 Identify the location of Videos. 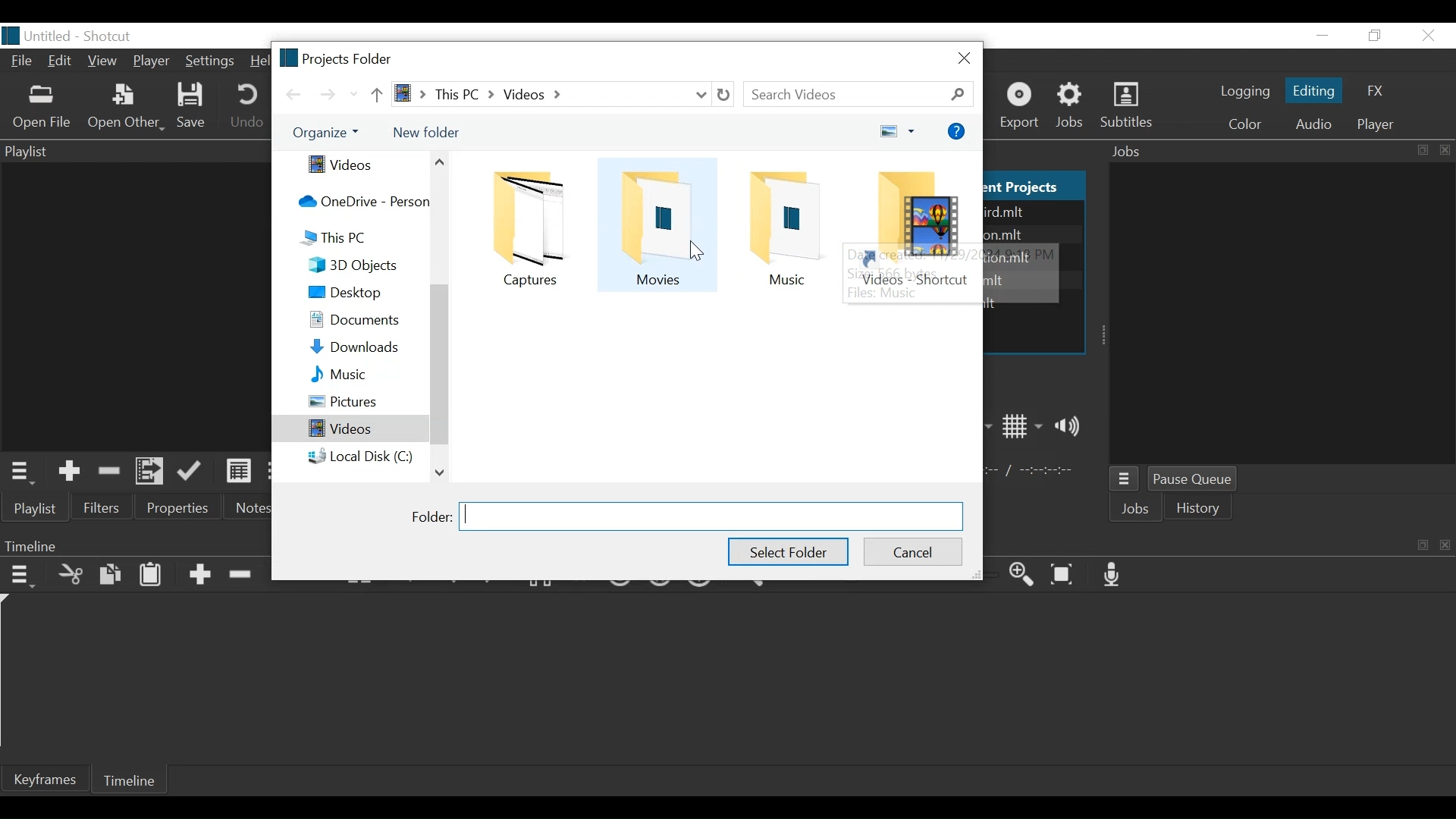
(347, 427).